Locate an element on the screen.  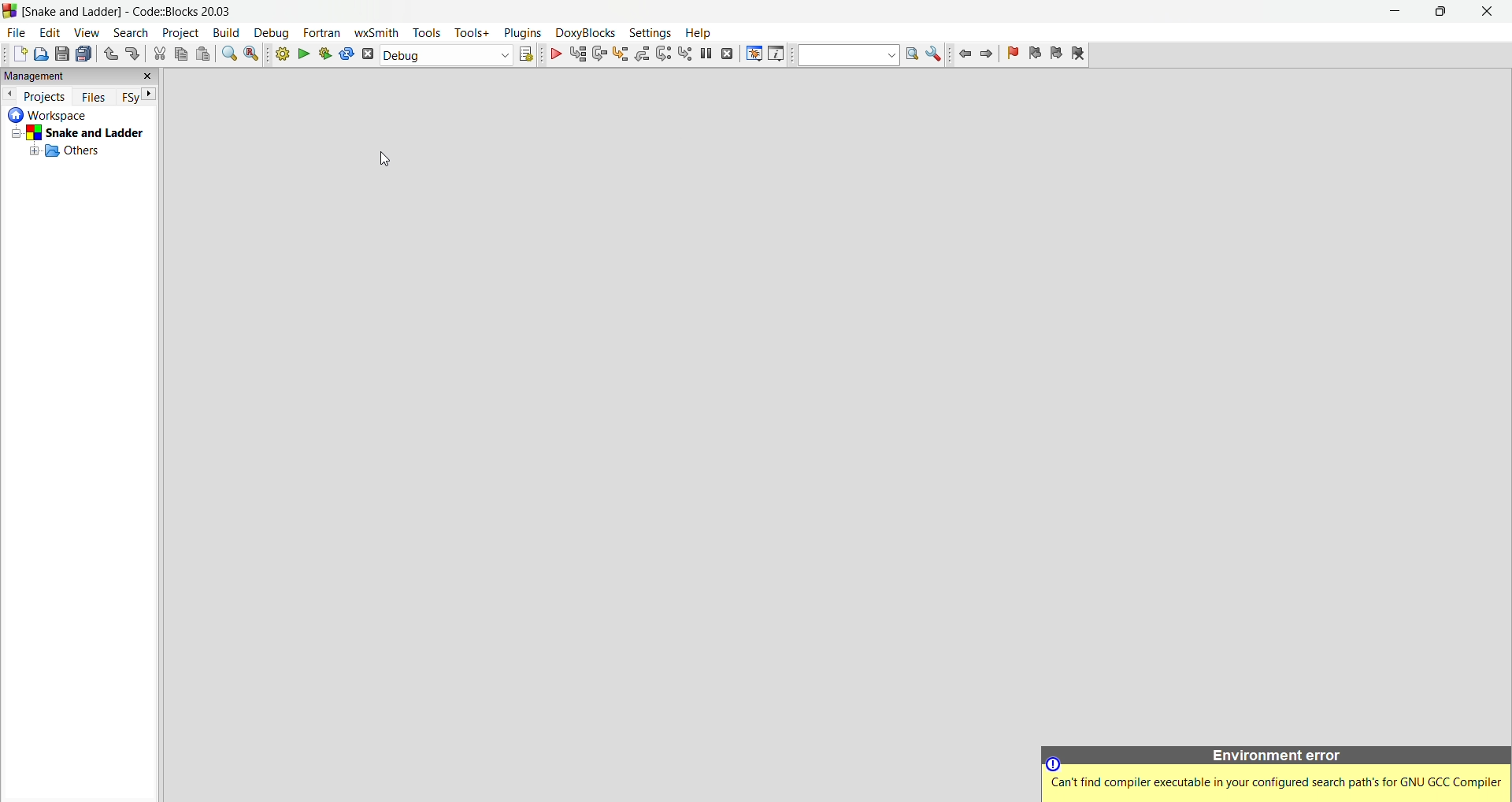
close is located at coordinates (1487, 12).